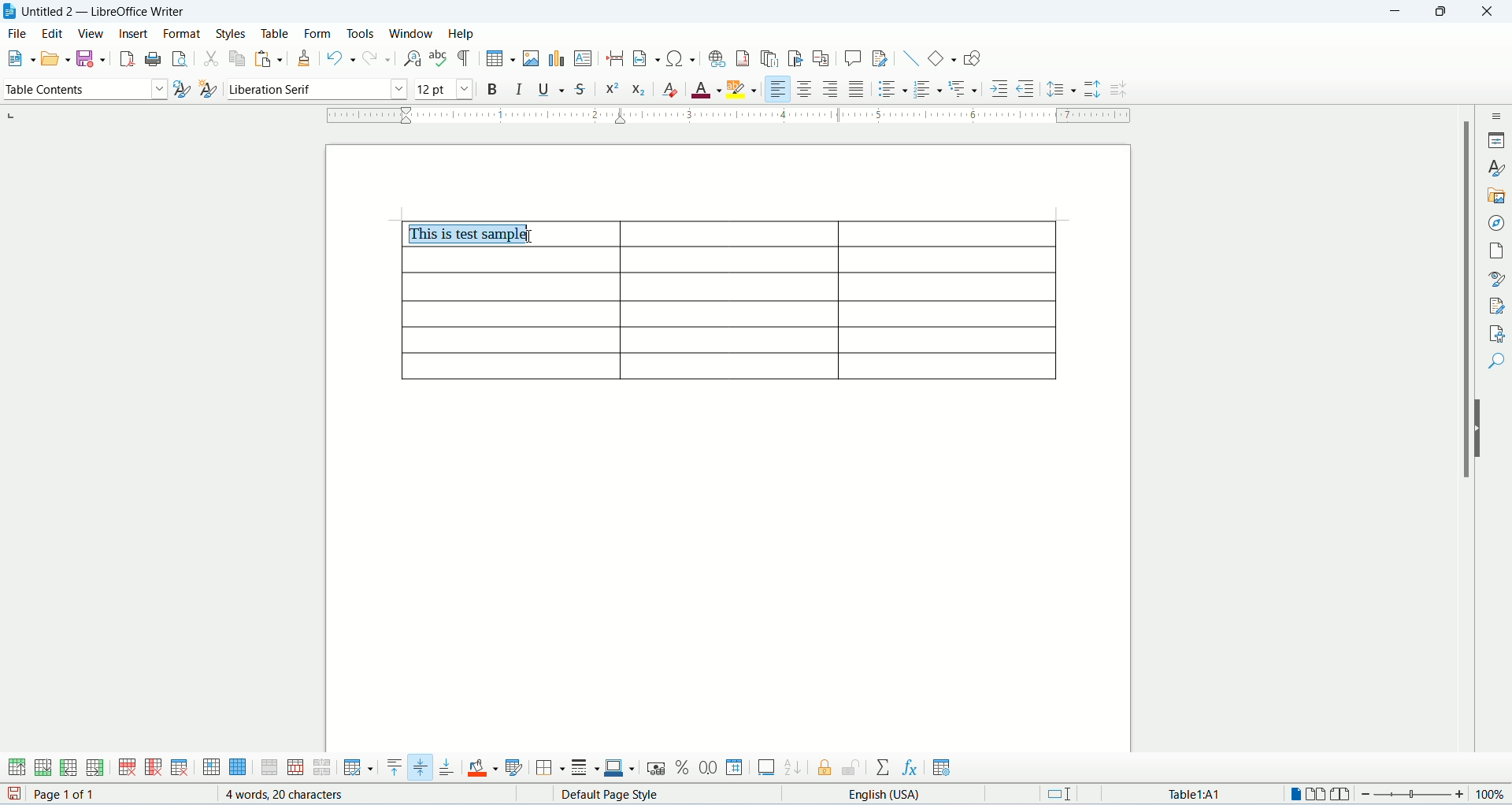  Describe the element at coordinates (211, 769) in the screenshot. I see `select cell` at that location.